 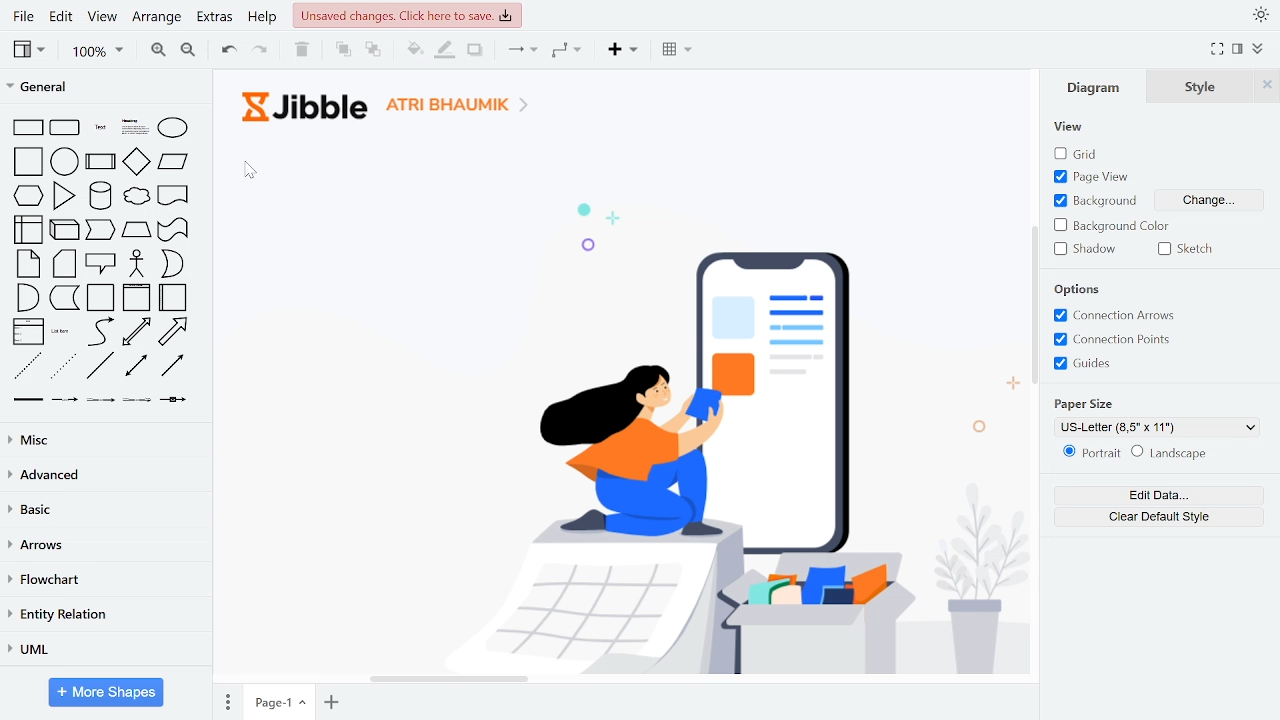 What do you see at coordinates (278, 702) in the screenshot?
I see `current page` at bounding box center [278, 702].